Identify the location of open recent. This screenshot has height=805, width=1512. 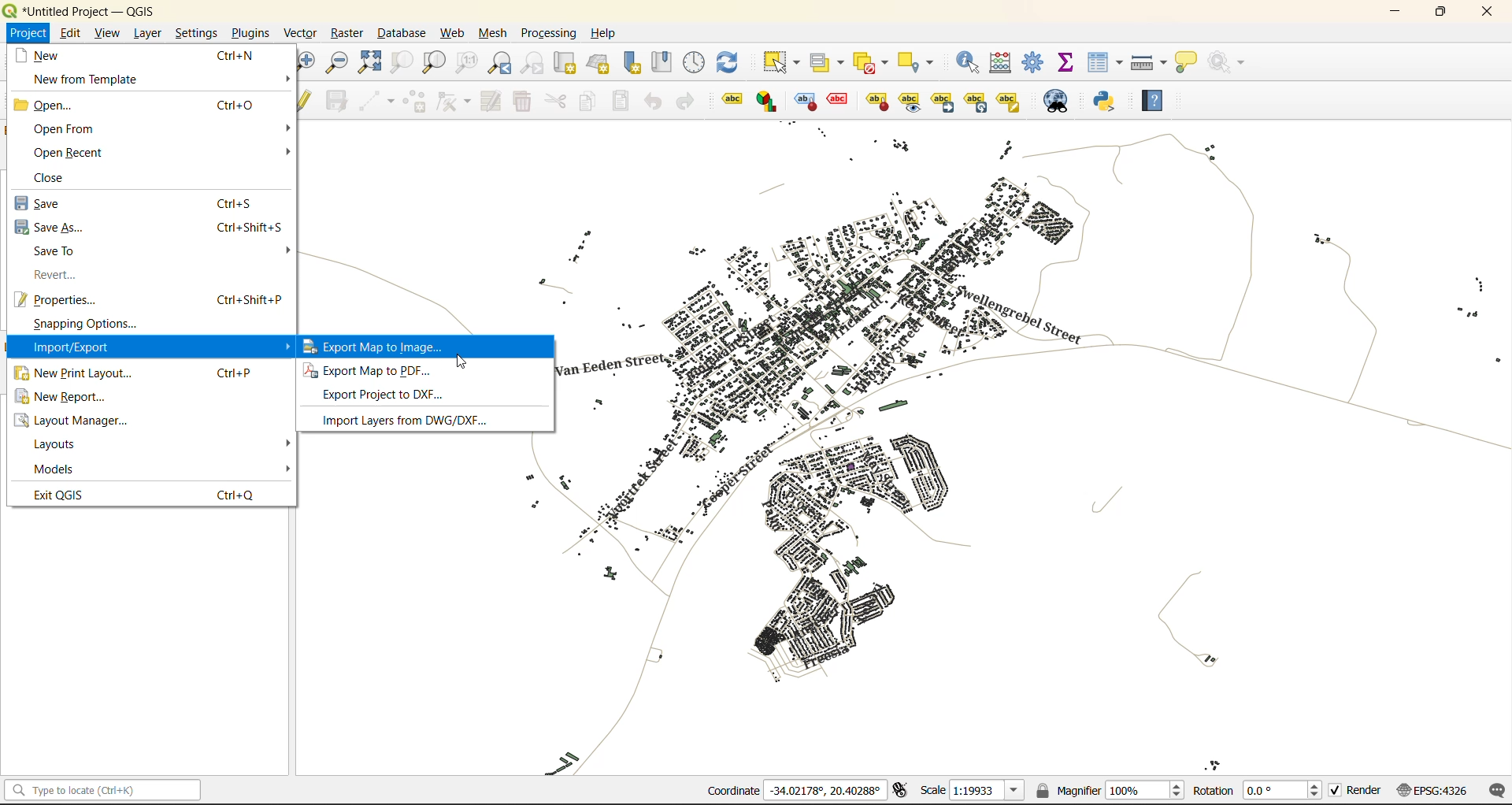
(69, 151).